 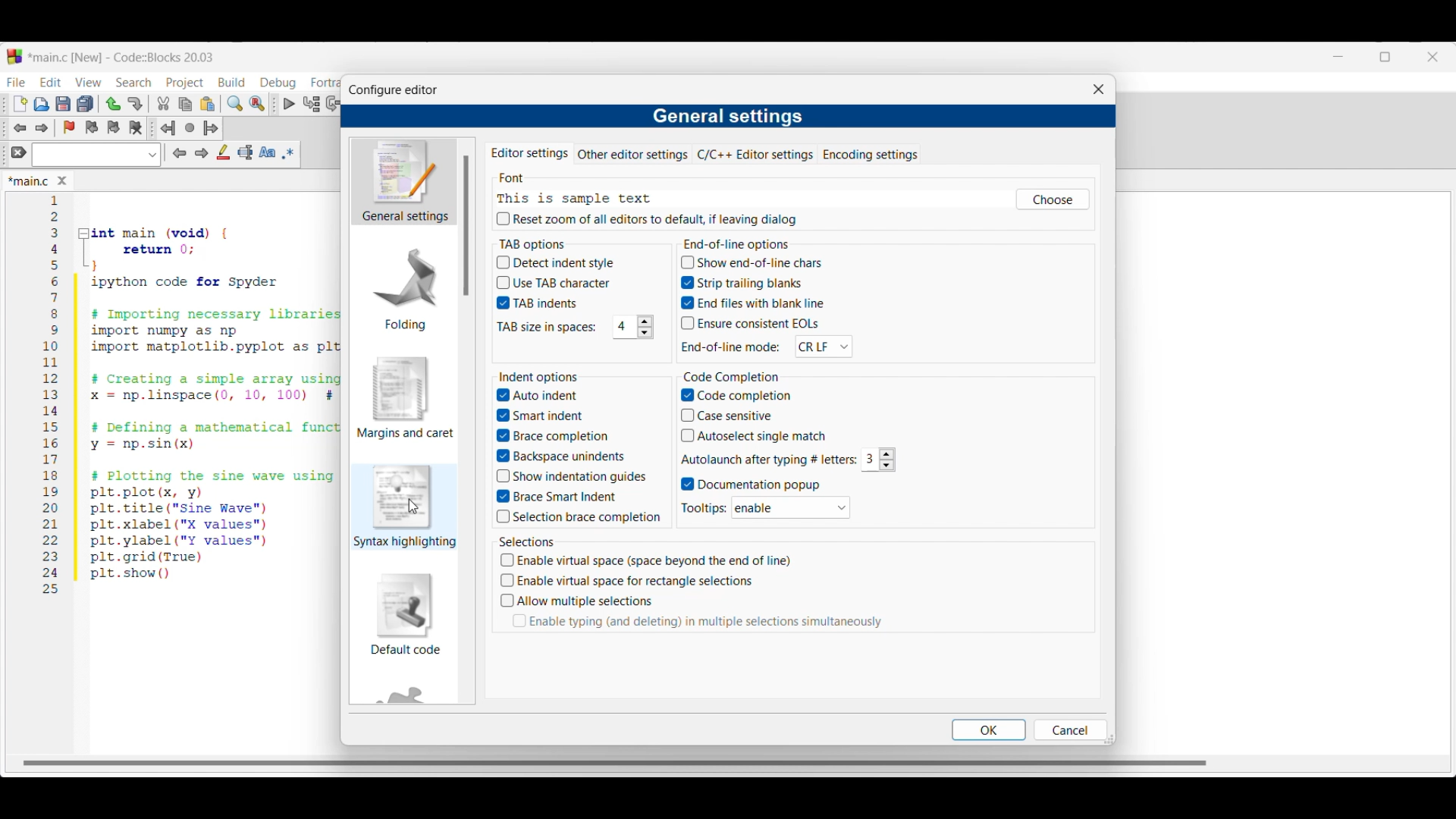 I want to click on Folding, so click(x=405, y=288).